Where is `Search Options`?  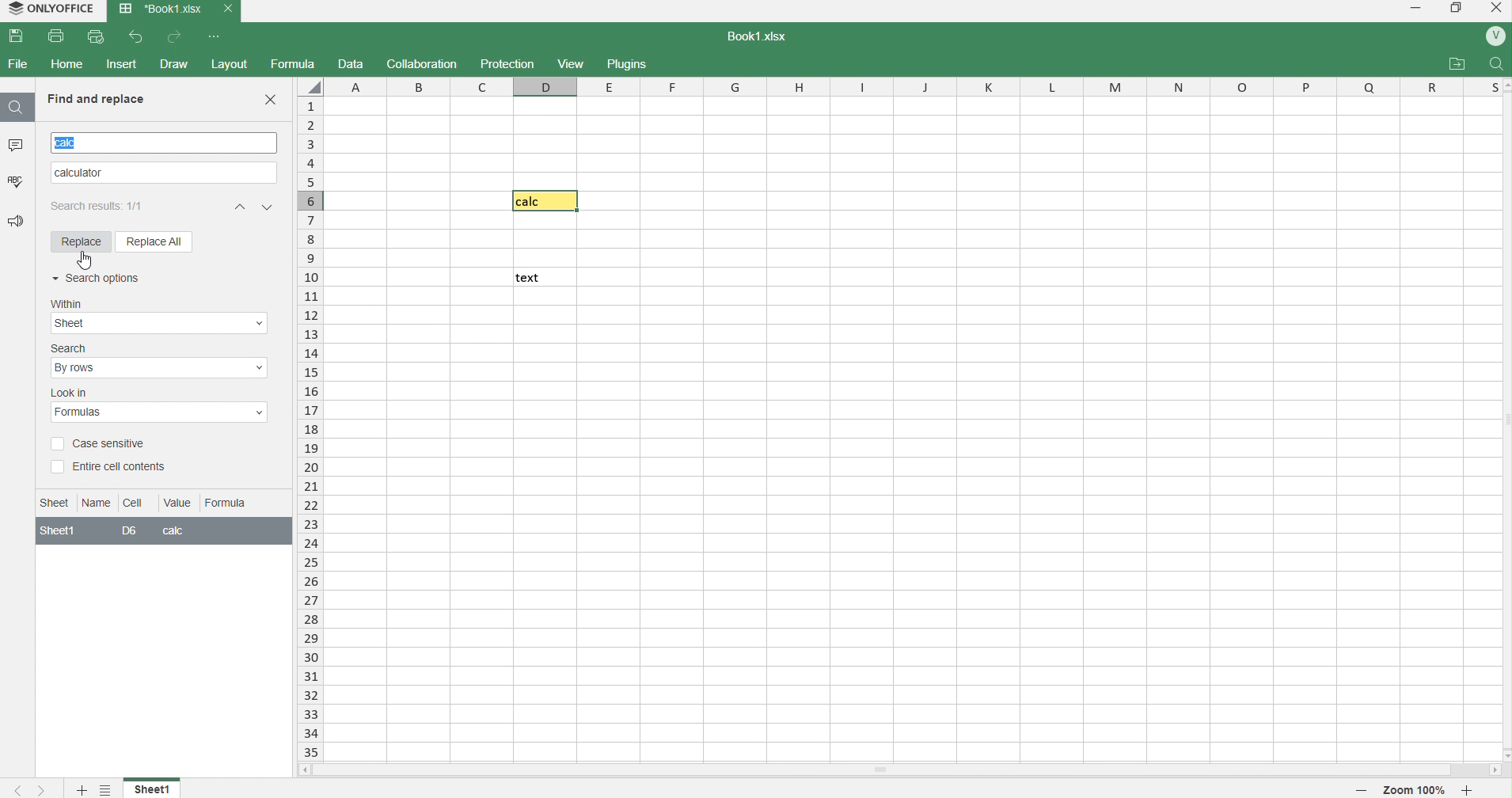 Search Options is located at coordinates (111, 278).